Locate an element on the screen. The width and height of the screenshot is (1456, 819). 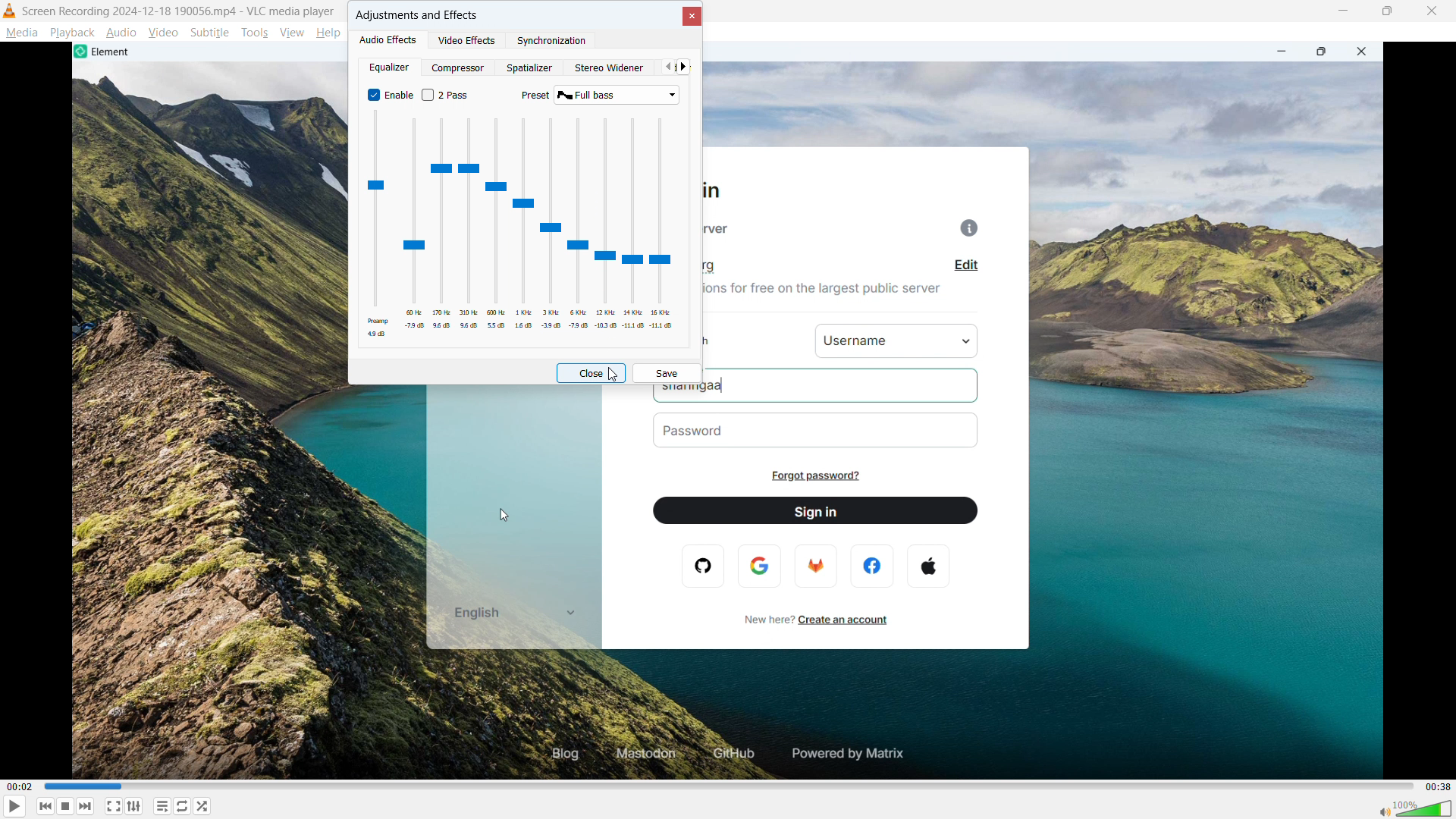
time bar is located at coordinates (726, 785).